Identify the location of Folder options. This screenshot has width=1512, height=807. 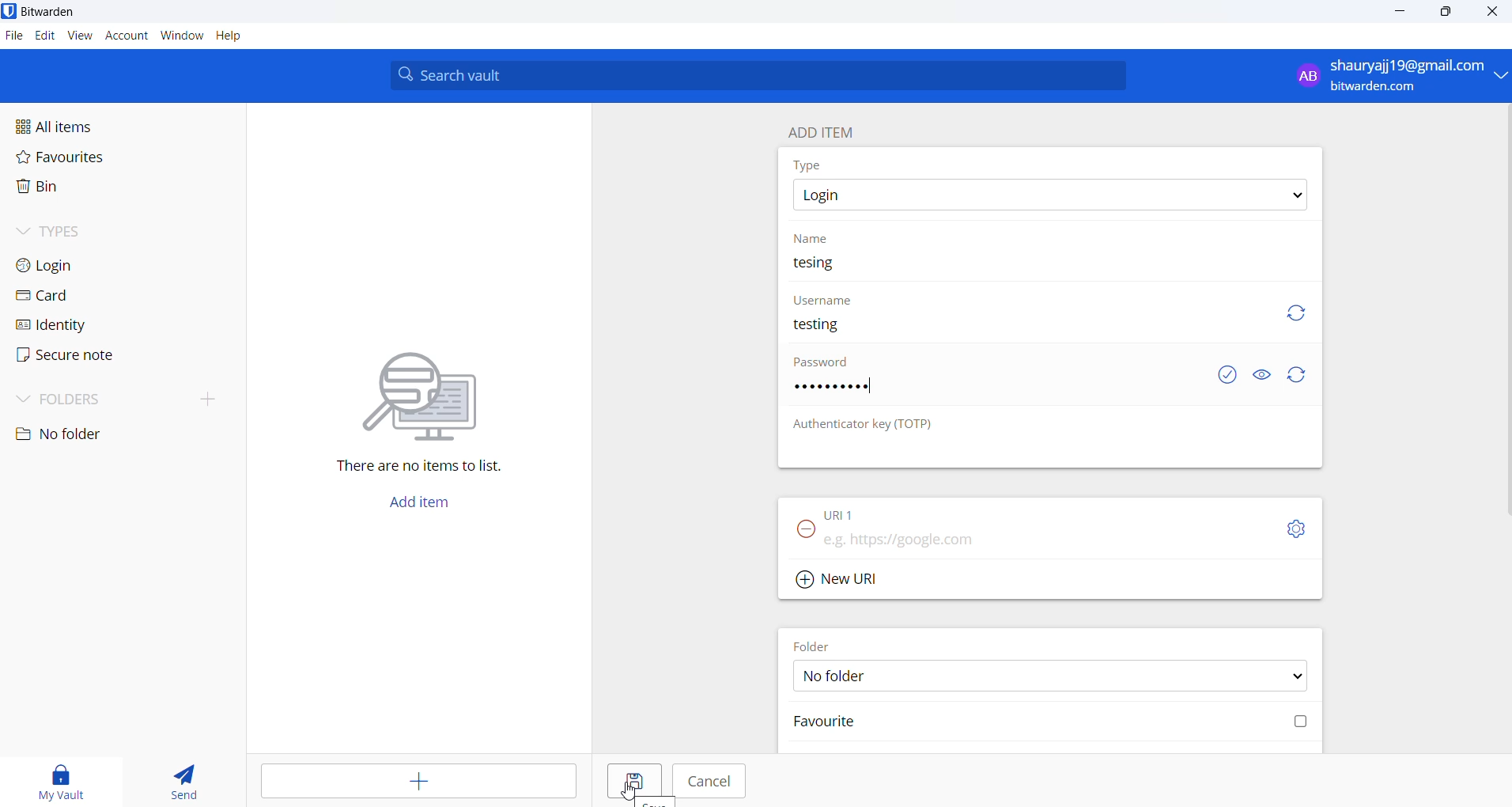
(1051, 675).